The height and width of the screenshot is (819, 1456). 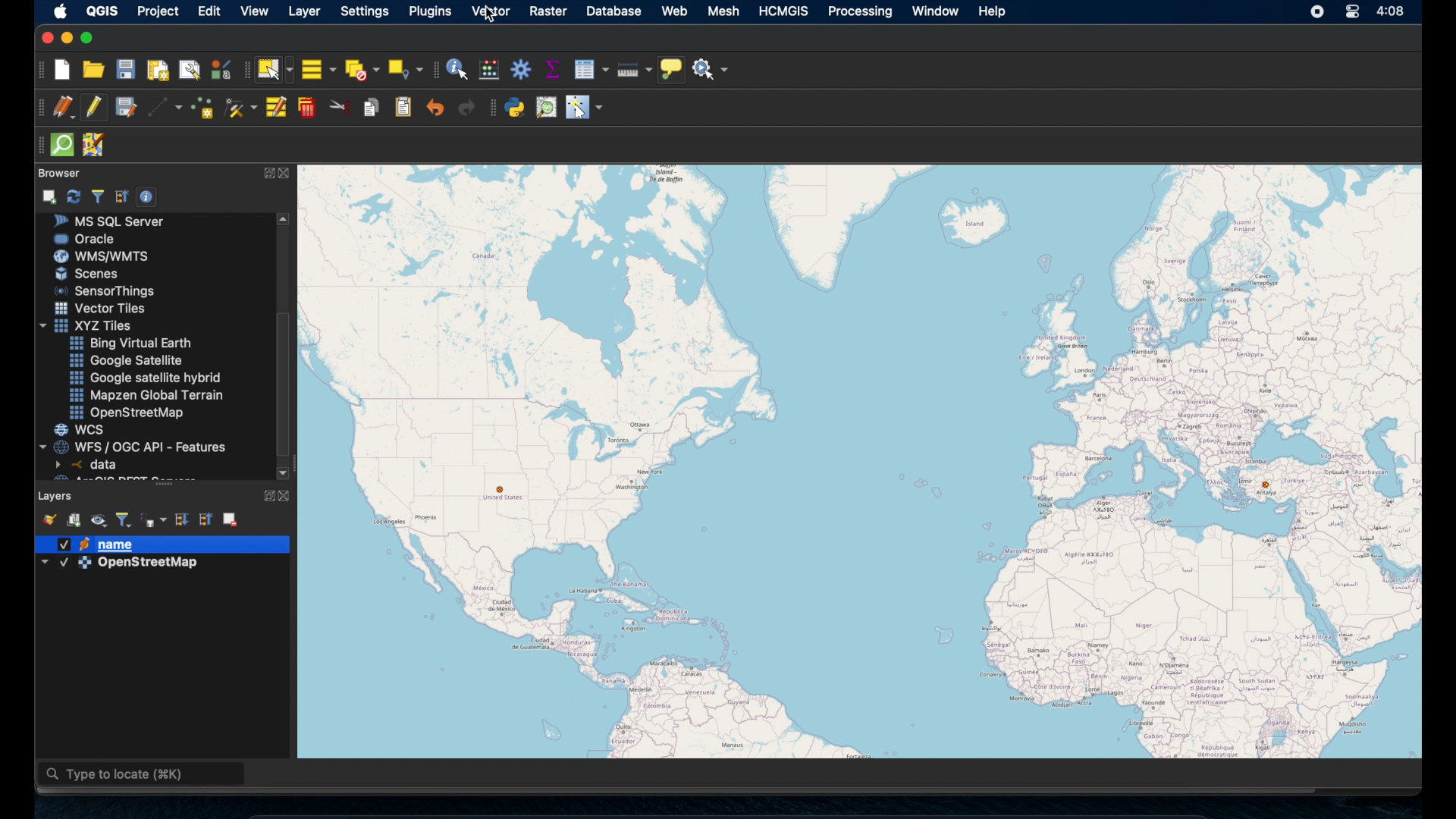 What do you see at coordinates (58, 11) in the screenshot?
I see `apple icon` at bounding box center [58, 11].